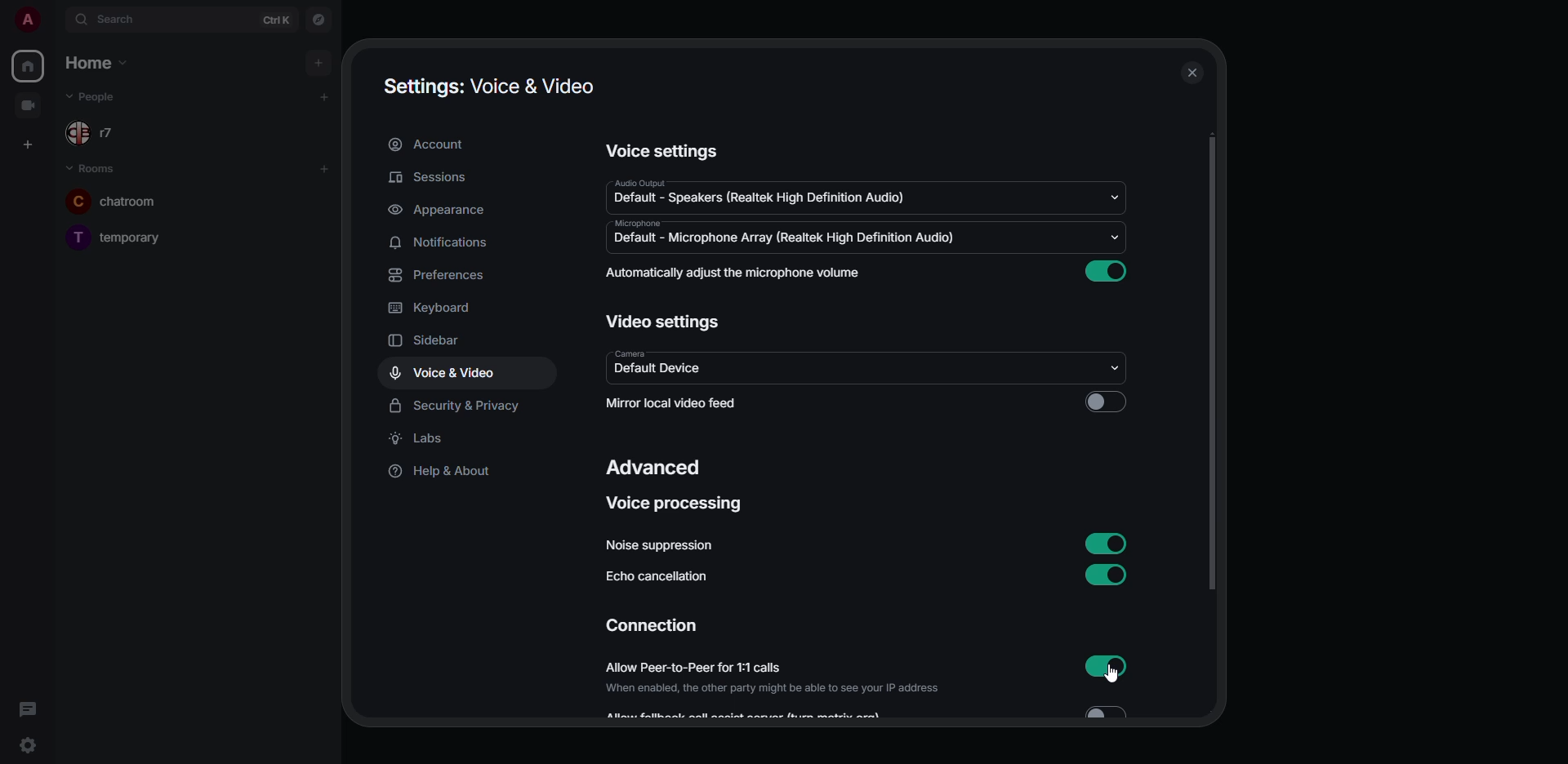 The height and width of the screenshot is (764, 1568). Describe the element at coordinates (446, 373) in the screenshot. I see `voice & video` at that location.